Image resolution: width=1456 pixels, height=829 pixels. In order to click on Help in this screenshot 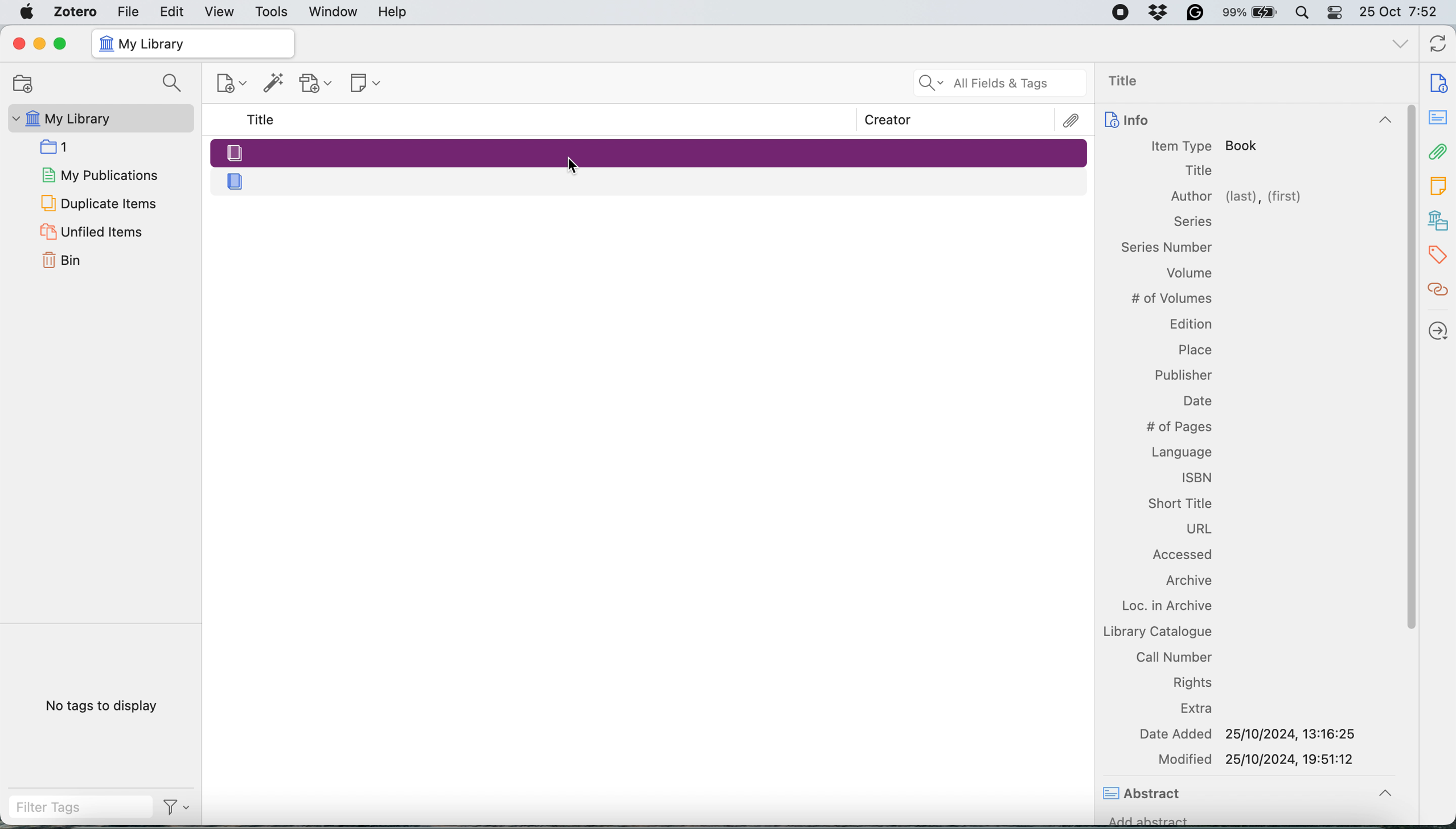, I will do `click(392, 11)`.